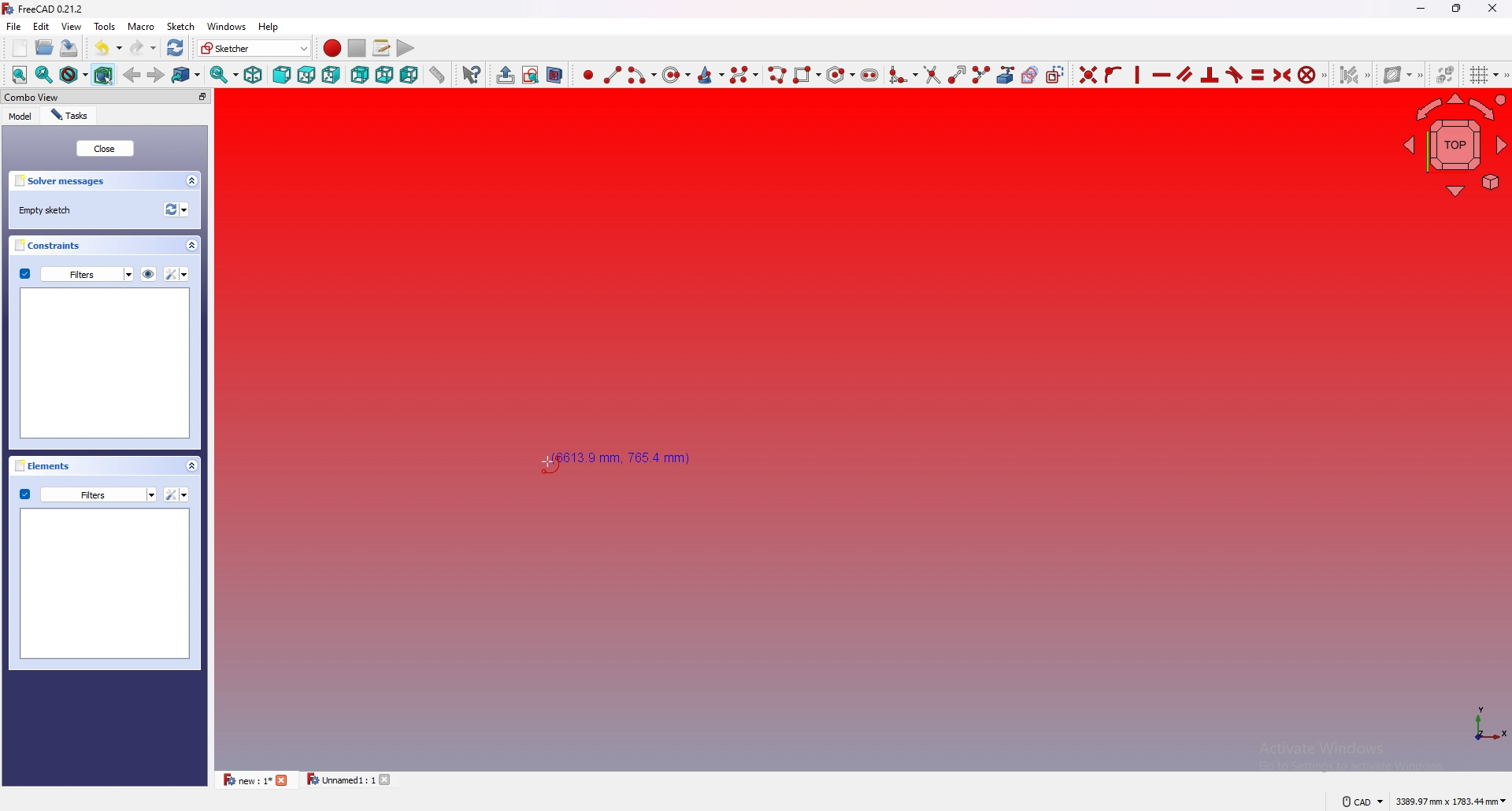 Image resolution: width=1512 pixels, height=811 pixels. I want to click on undo, so click(108, 48).